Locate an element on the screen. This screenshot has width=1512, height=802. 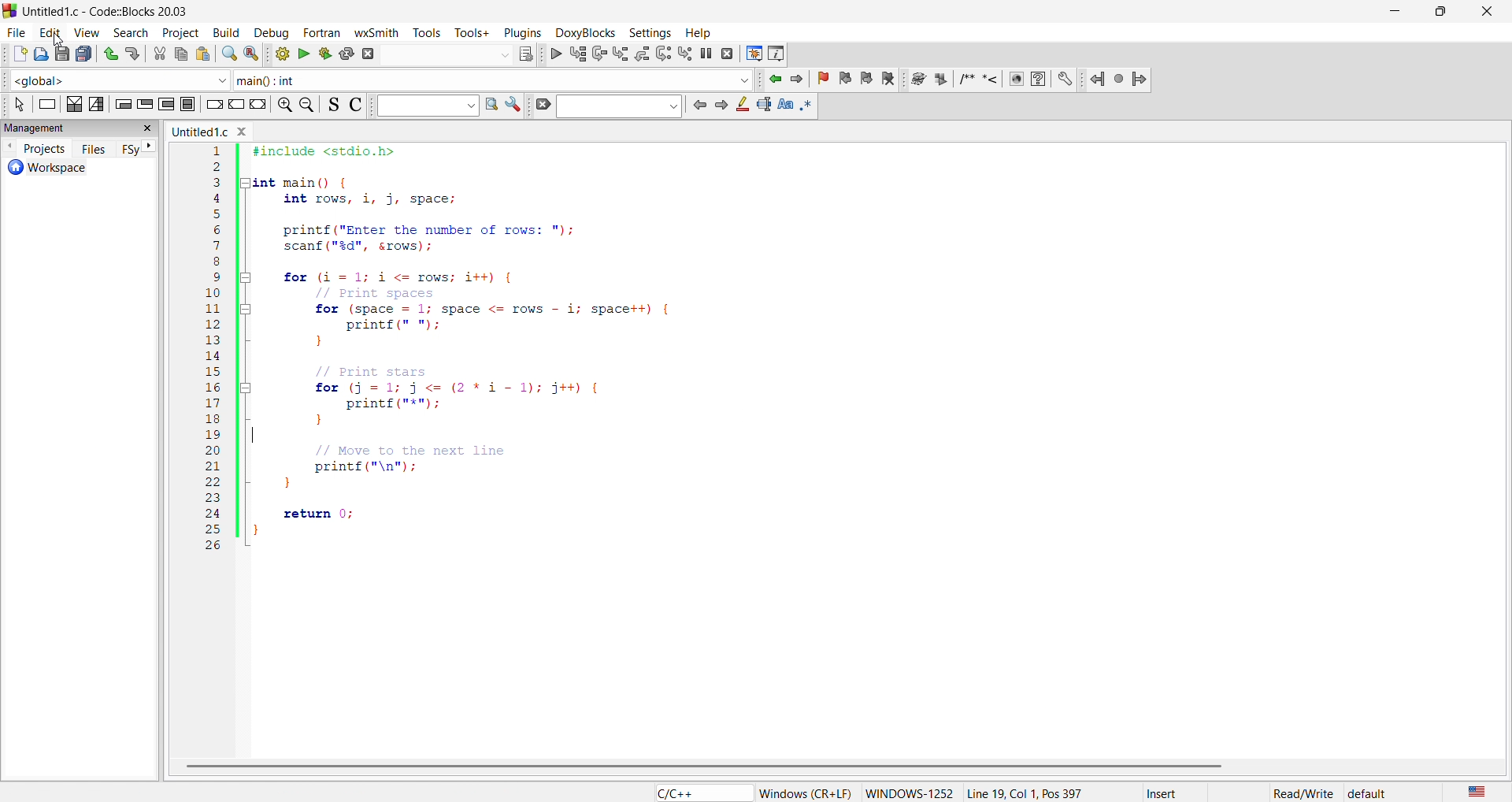
continue instruction is located at coordinates (235, 106).